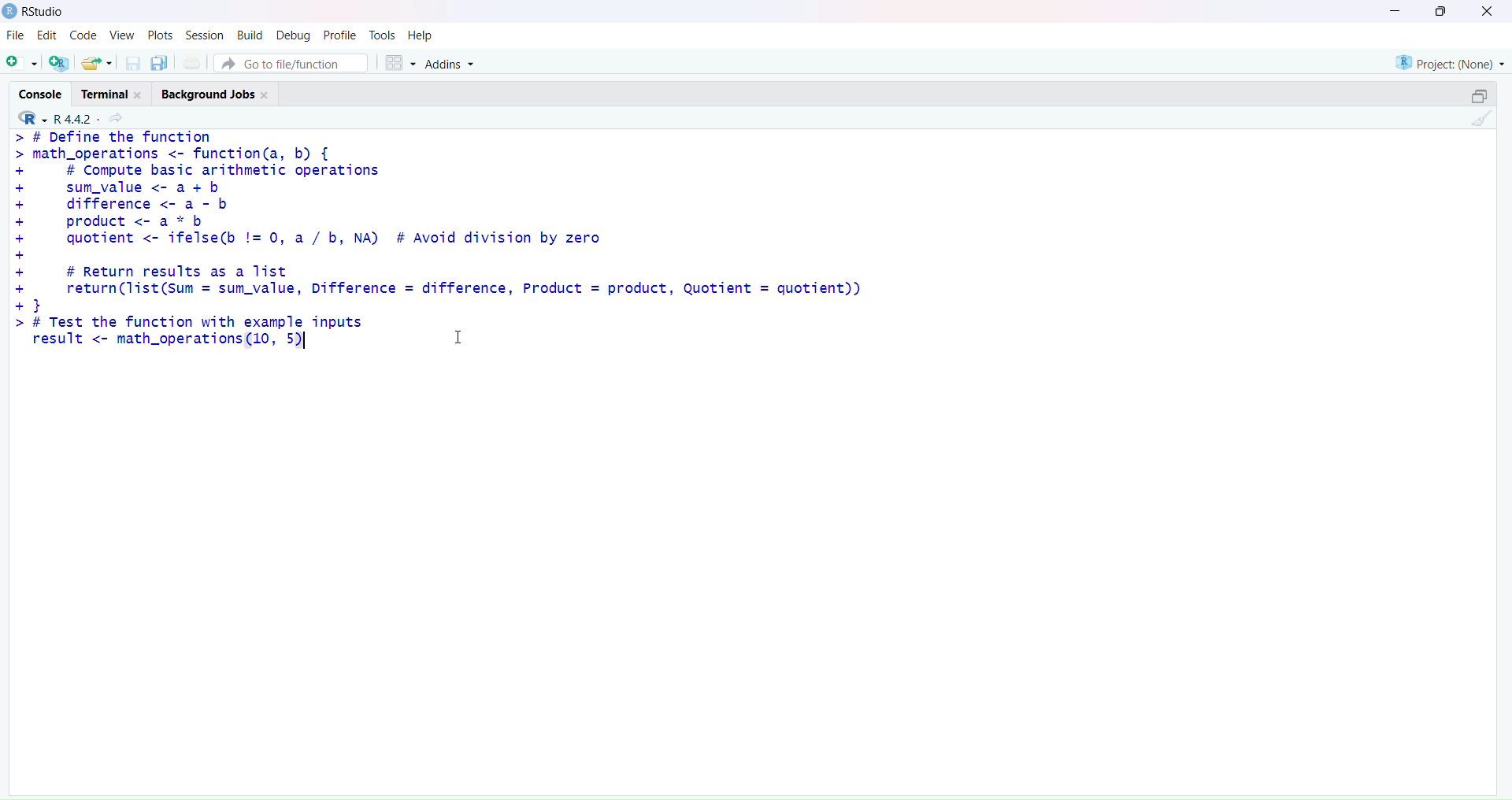 The width and height of the screenshot is (1512, 800). What do you see at coordinates (158, 35) in the screenshot?
I see `Plots` at bounding box center [158, 35].